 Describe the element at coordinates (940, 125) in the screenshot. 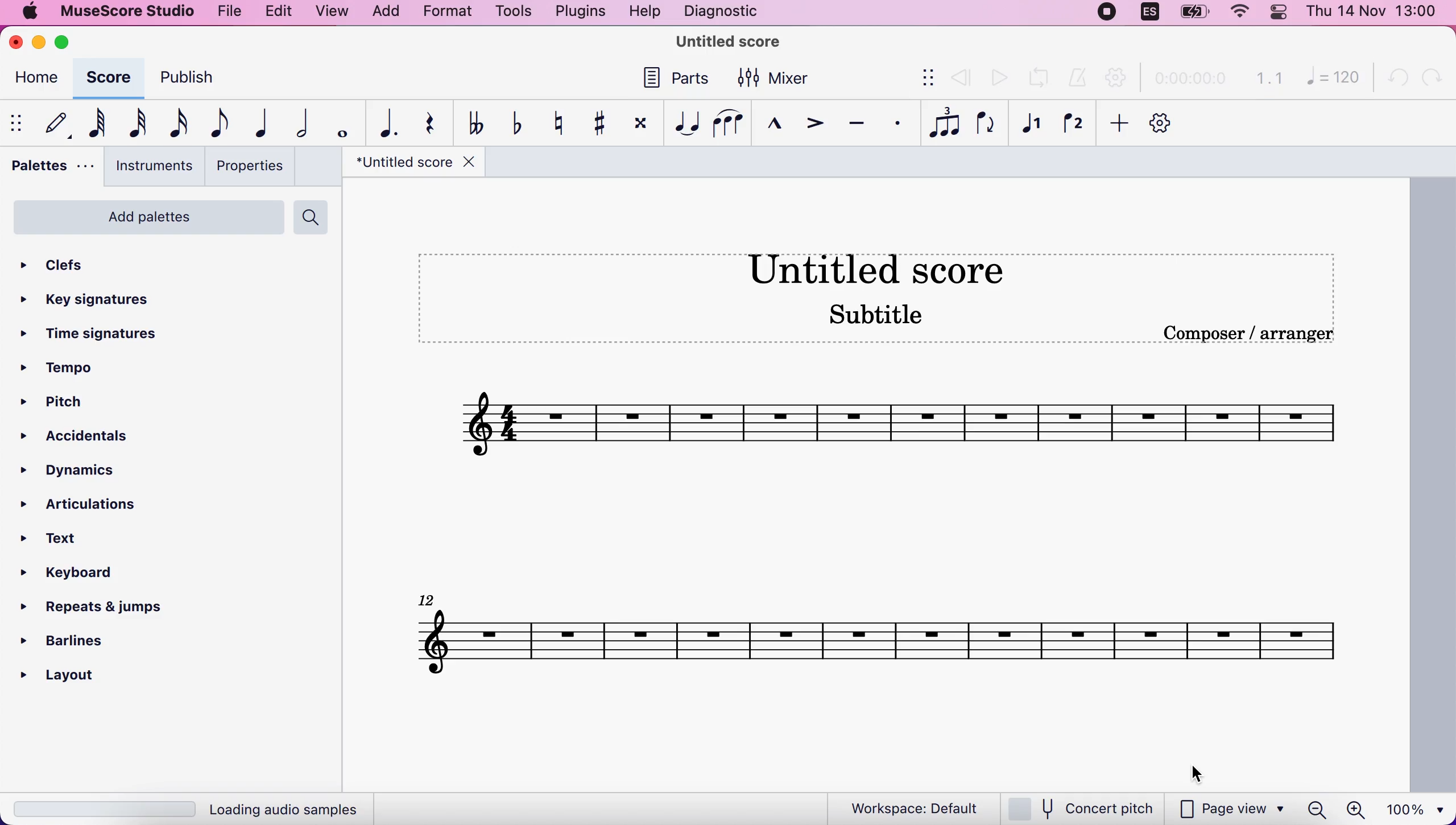

I see `tuples` at that location.